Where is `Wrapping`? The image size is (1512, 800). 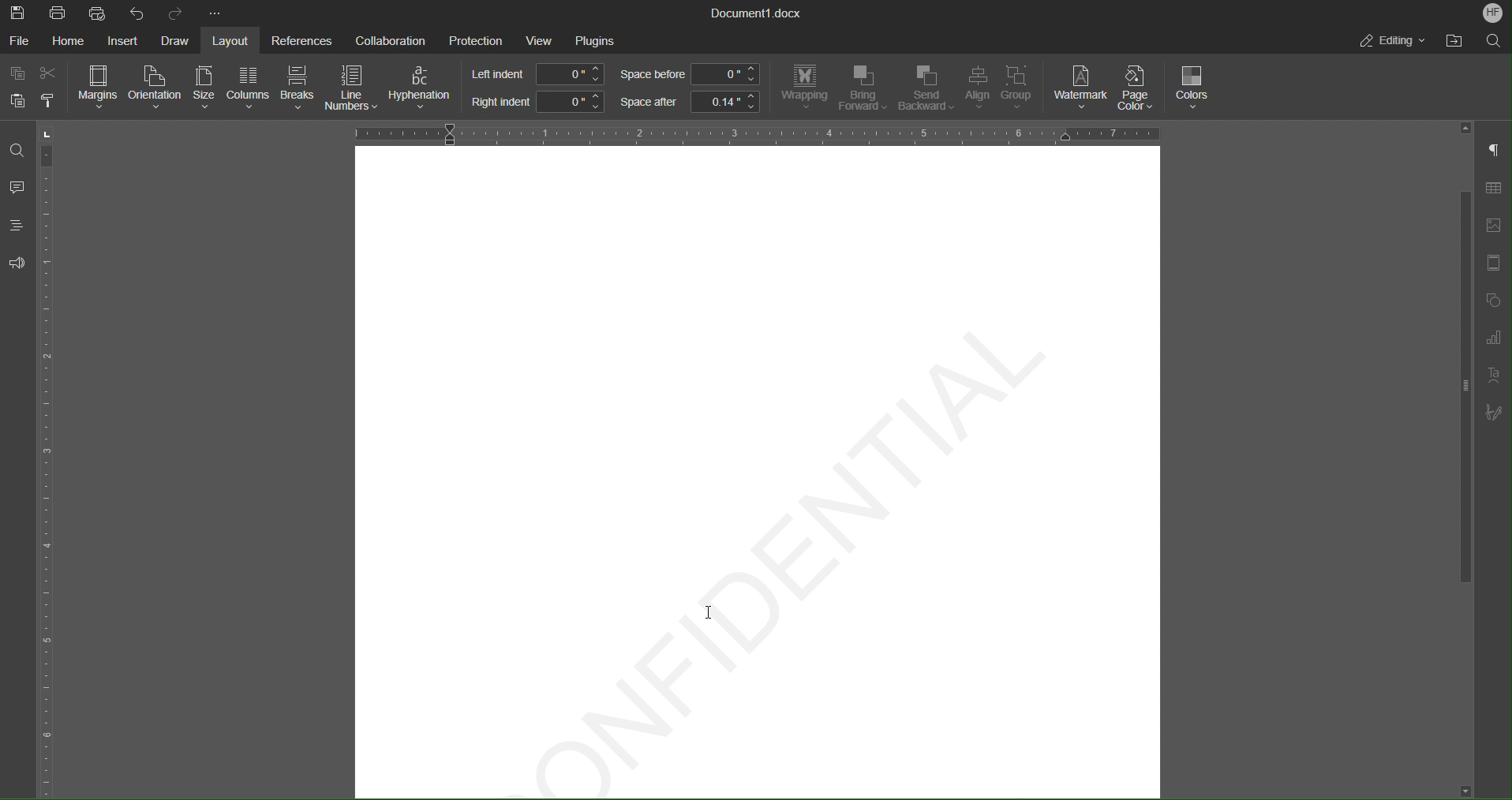 Wrapping is located at coordinates (804, 88).